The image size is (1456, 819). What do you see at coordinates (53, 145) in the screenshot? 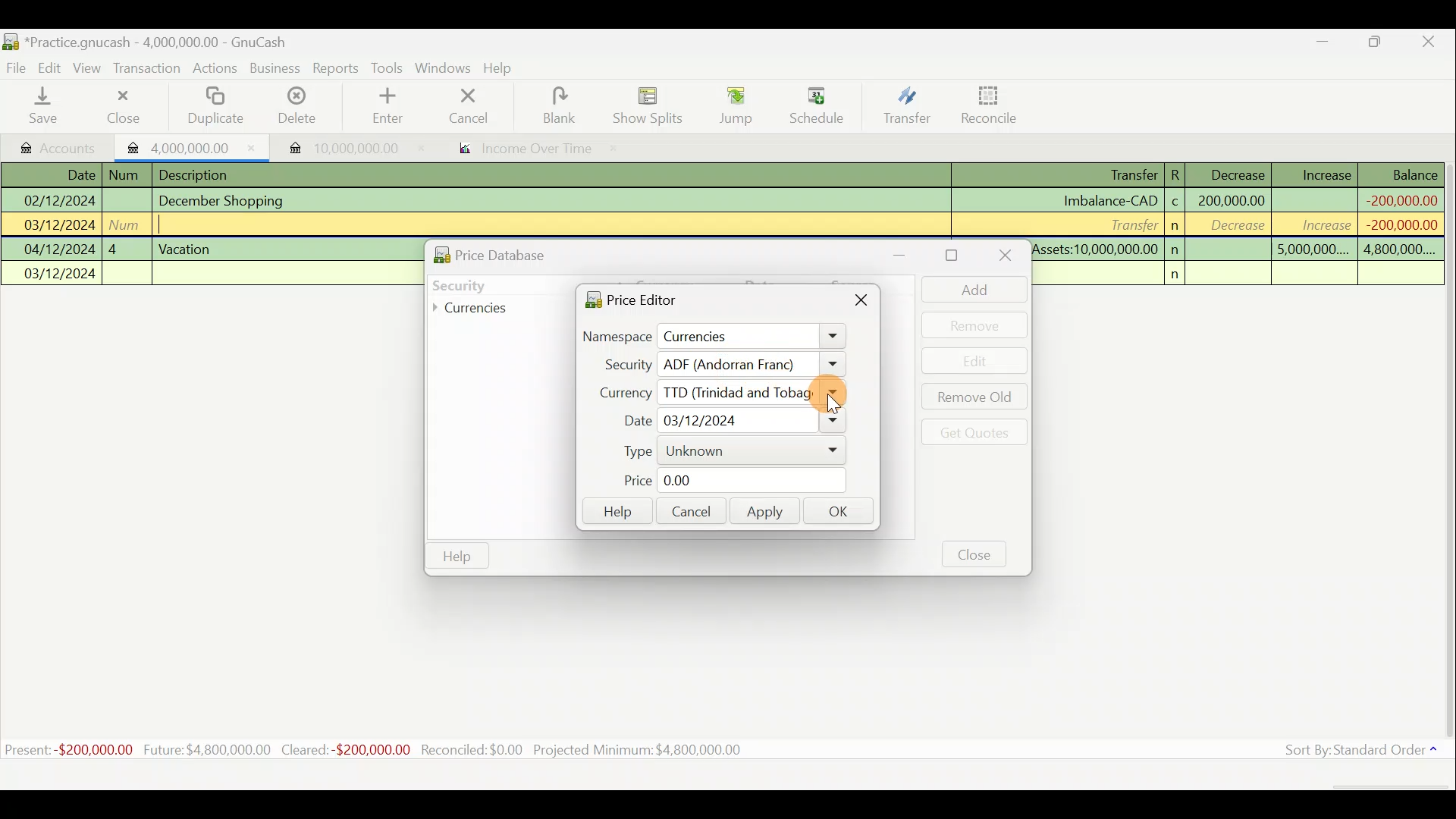
I see `Accounts` at bounding box center [53, 145].